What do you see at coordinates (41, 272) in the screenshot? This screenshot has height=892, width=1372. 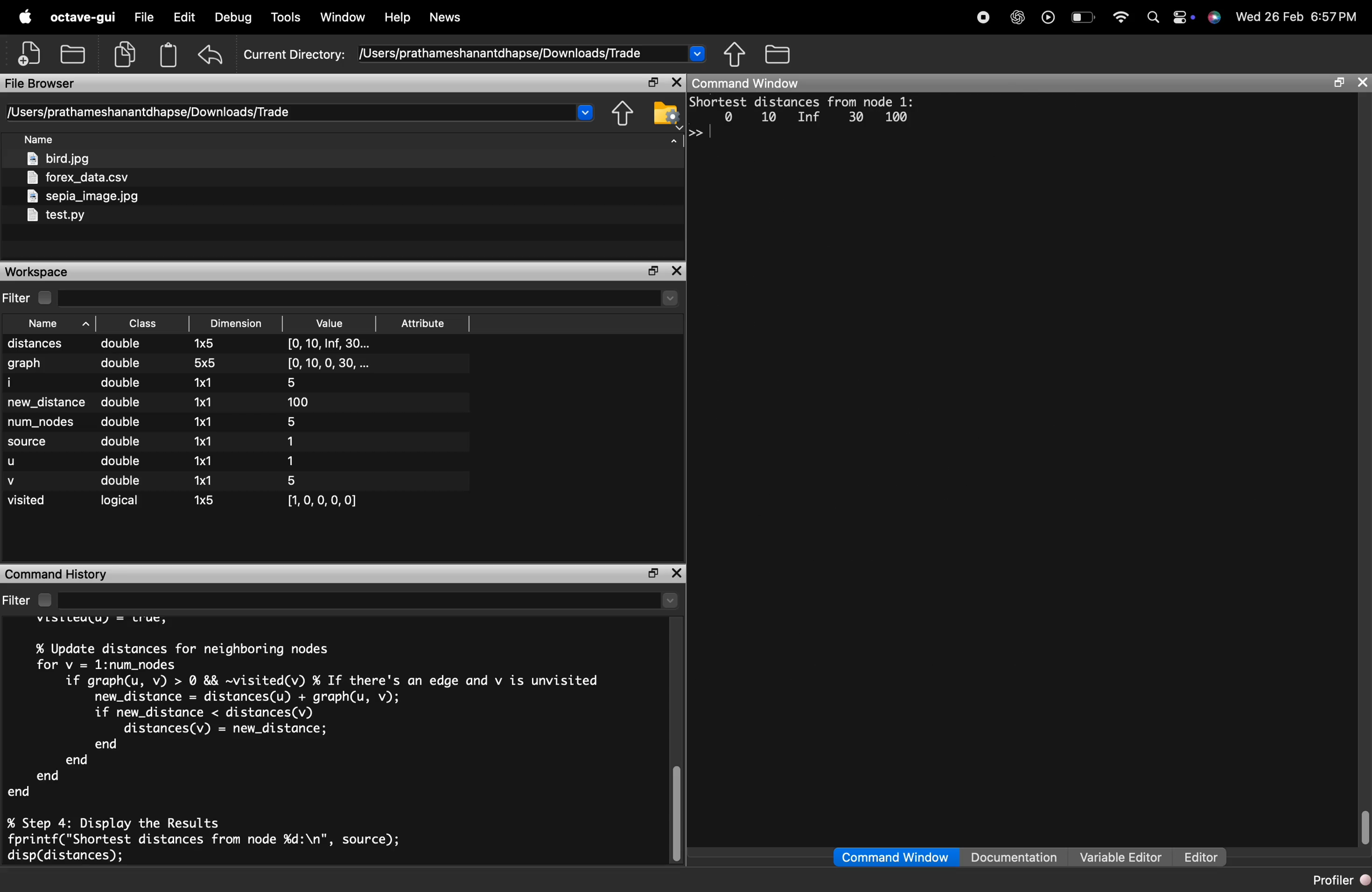 I see `workspace` at bounding box center [41, 272].